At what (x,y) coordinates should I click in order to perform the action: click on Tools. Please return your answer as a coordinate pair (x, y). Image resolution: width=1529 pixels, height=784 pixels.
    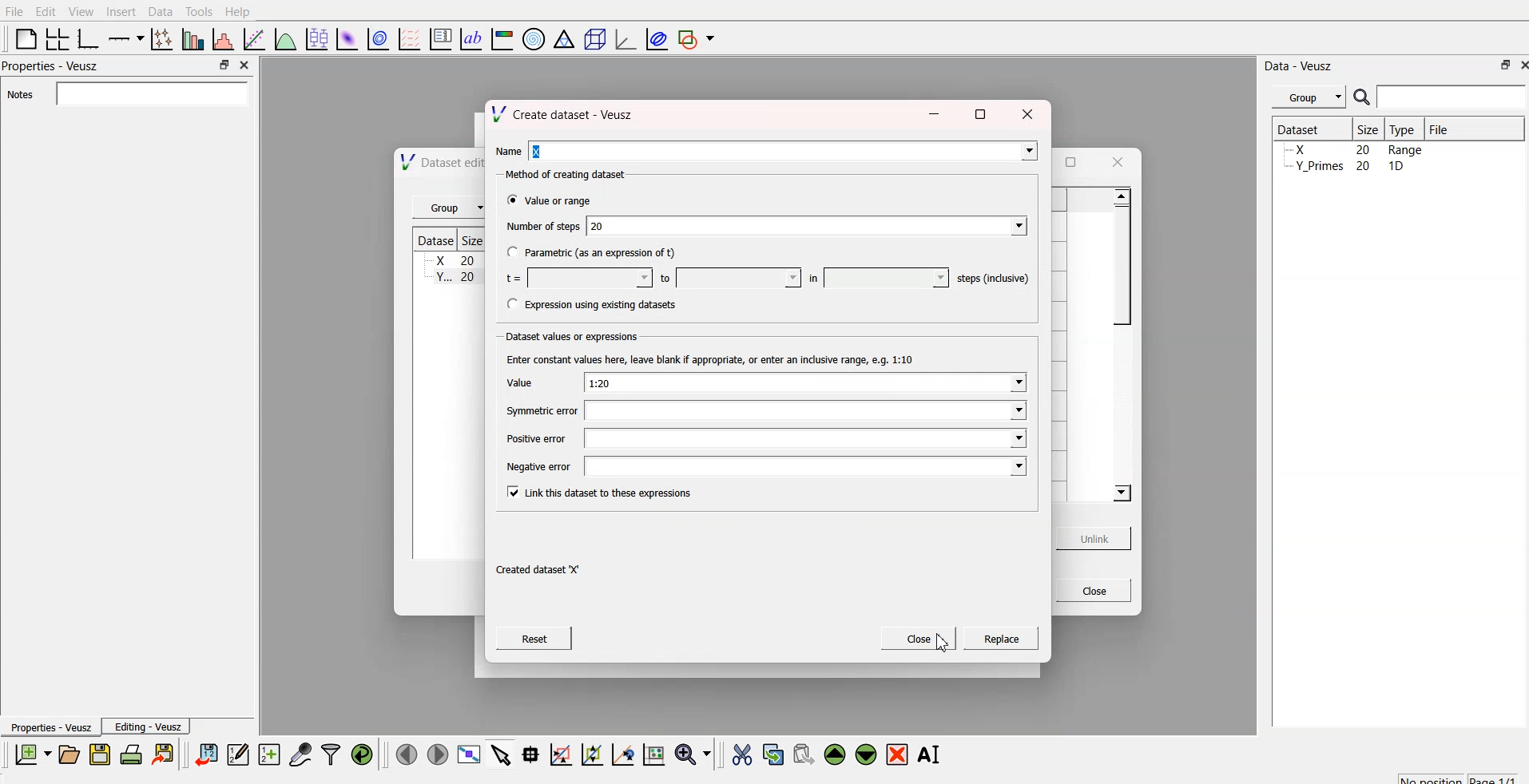
    Looking at the image, I should click on (198, 10).